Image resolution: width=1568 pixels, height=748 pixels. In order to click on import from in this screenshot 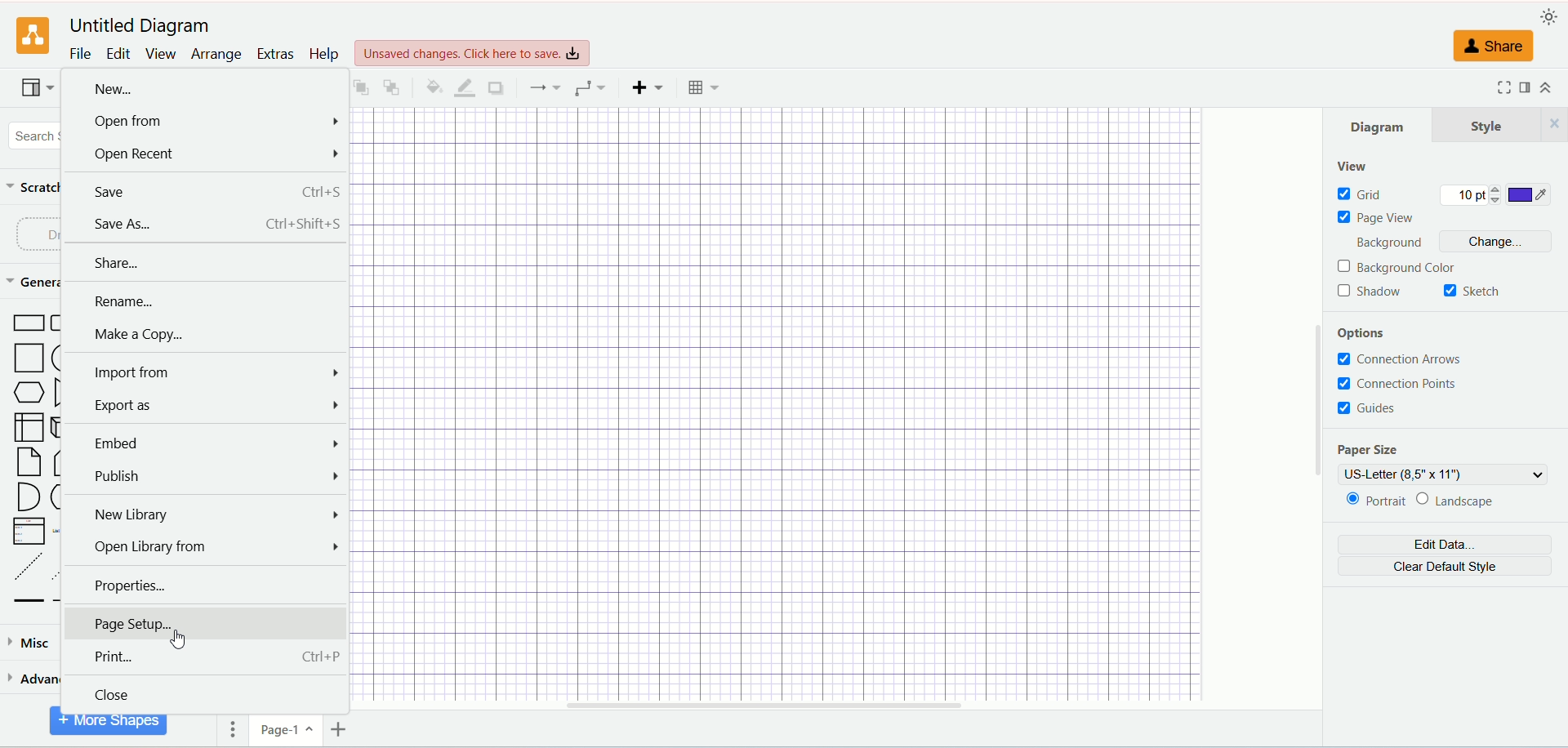, I will do `click(205, 374)`.